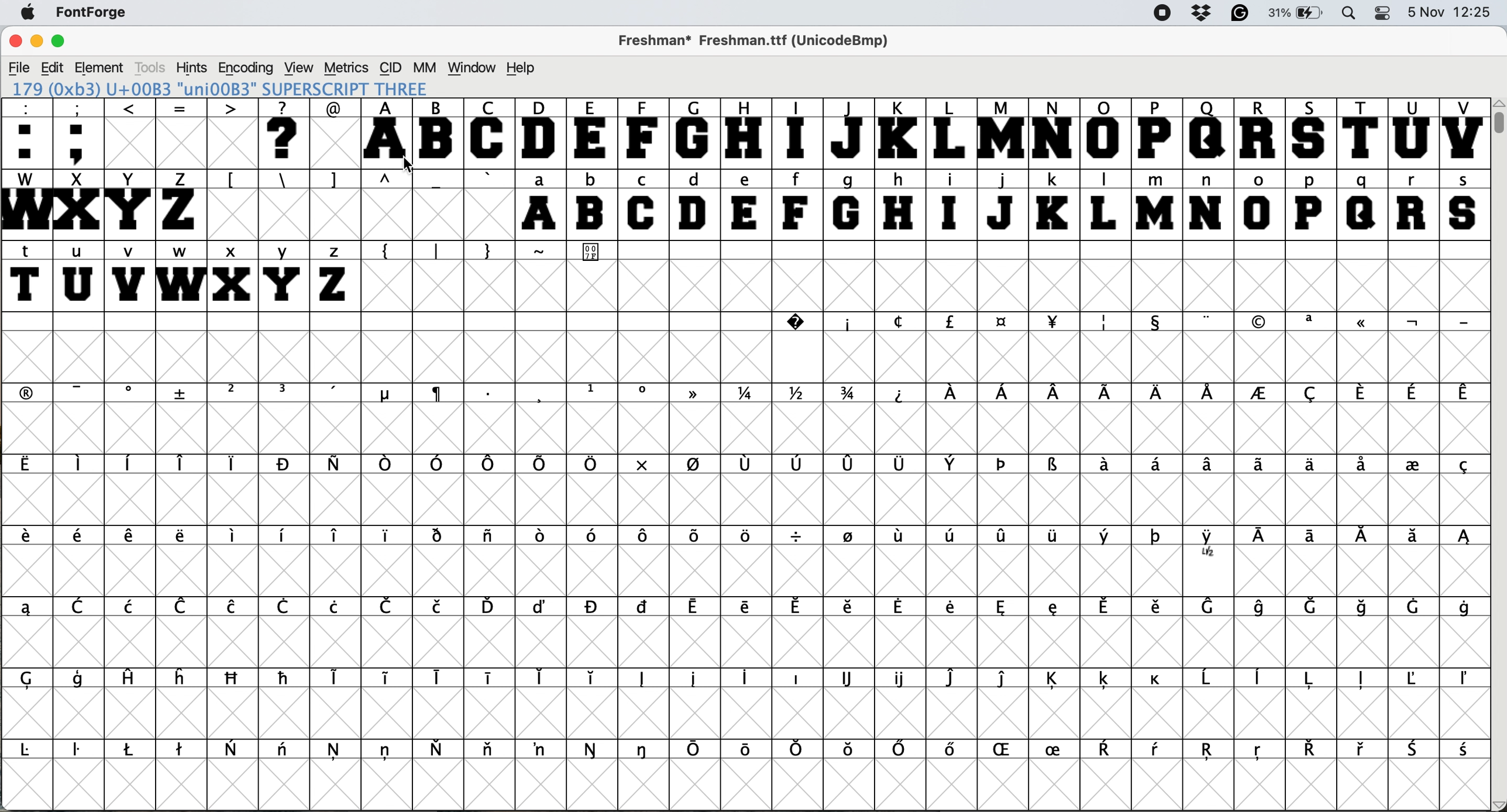 This screenshot has width=1507, height=812. Describe the element at coordinates (747, 608) in the screenshot. I see `symbol` at that location.